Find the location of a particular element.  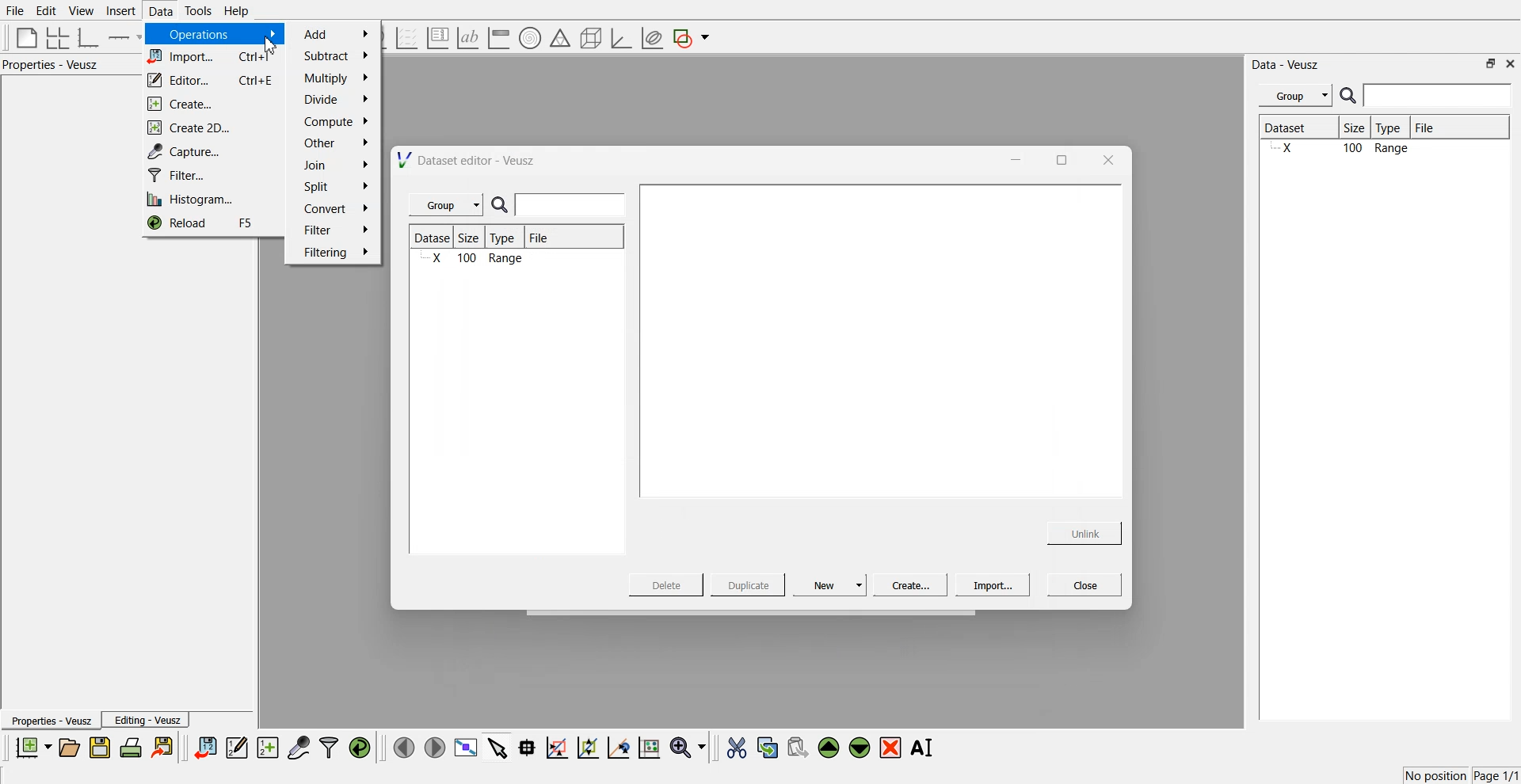

Other is located at coordinates (336, 143).